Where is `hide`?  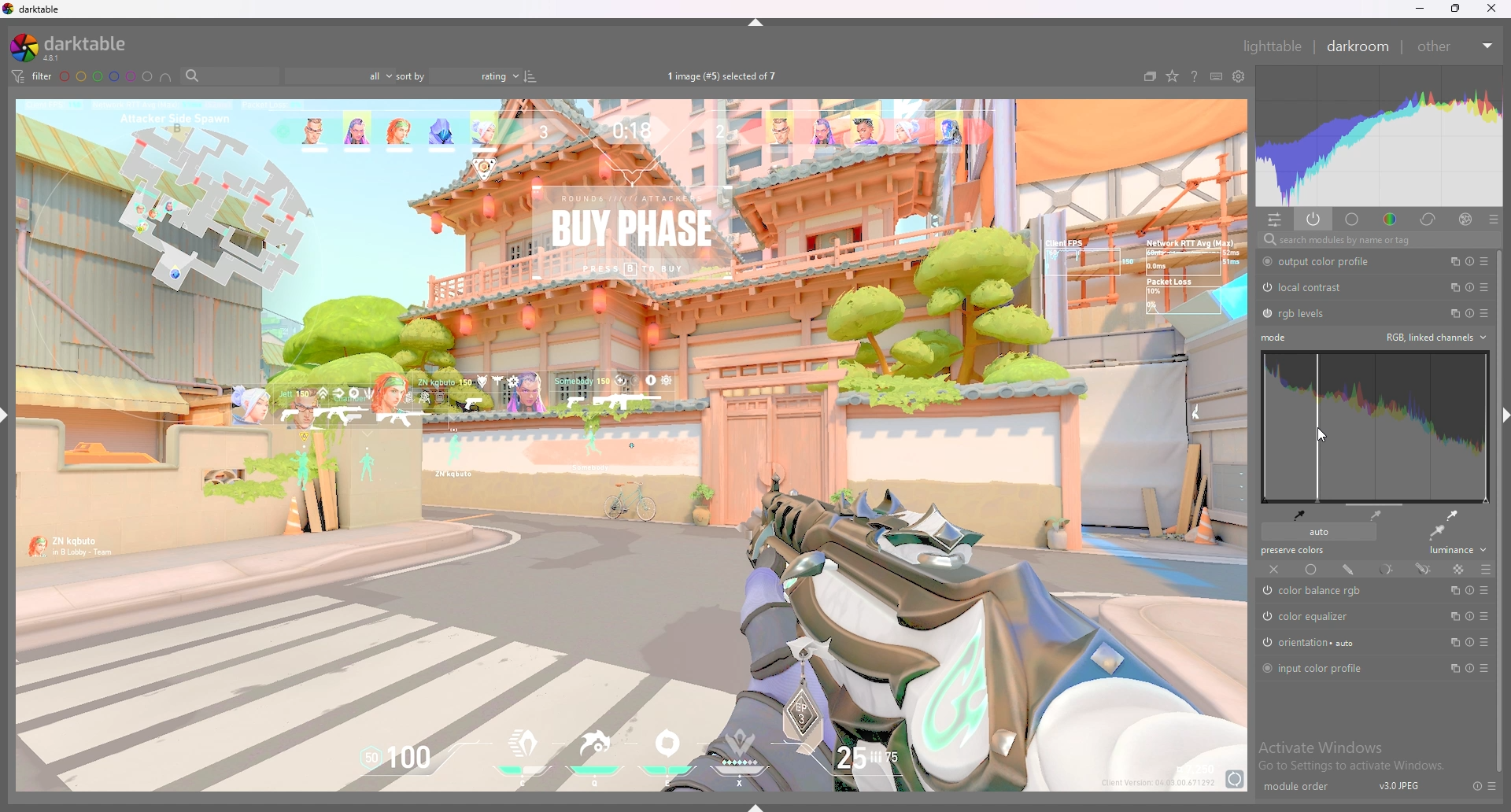
hide is located at coordinates (765, 25).